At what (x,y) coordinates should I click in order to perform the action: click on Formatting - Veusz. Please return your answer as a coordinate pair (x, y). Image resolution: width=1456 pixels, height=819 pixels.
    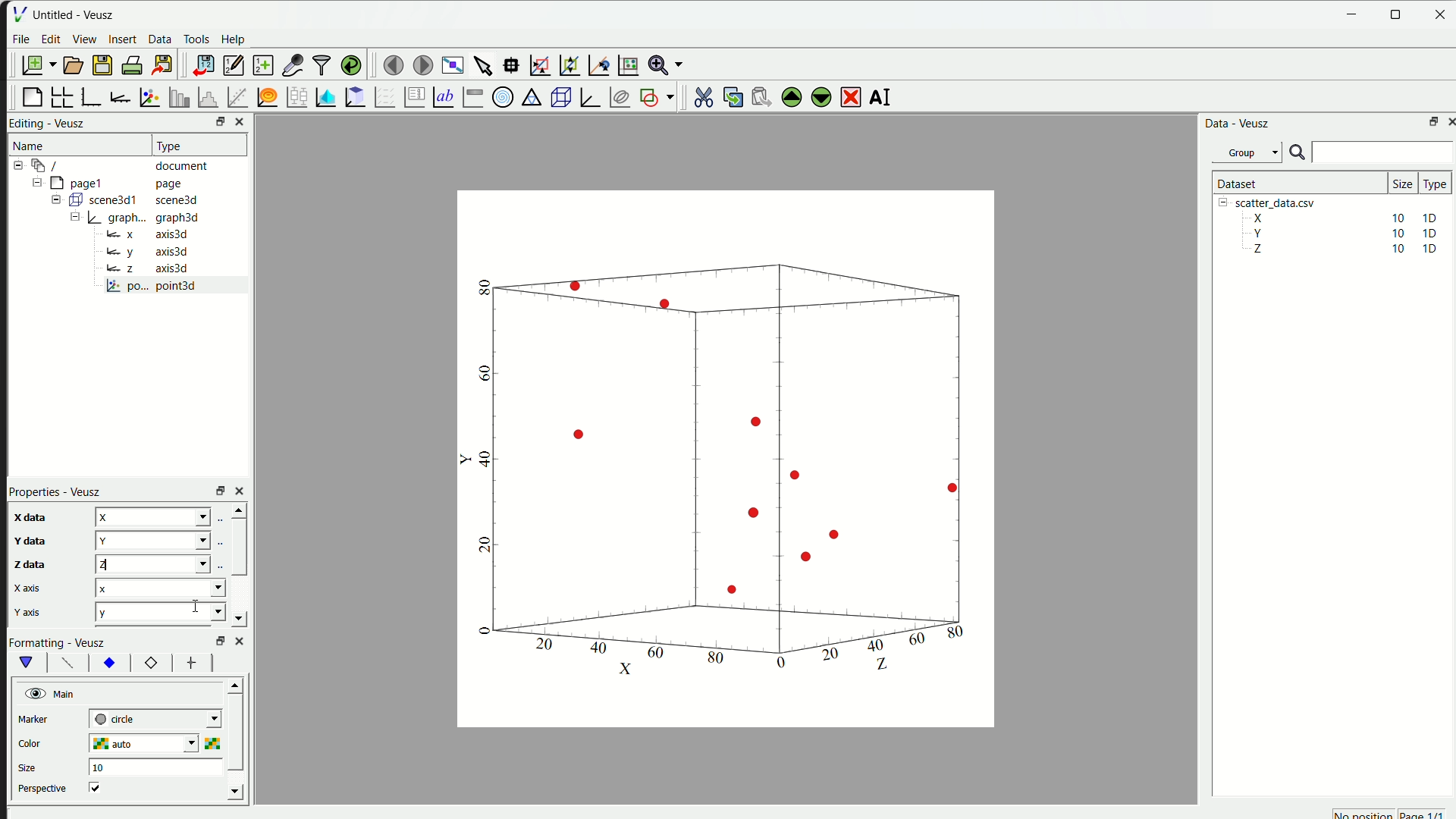
    Looking at the image, I should click on (64, 642).